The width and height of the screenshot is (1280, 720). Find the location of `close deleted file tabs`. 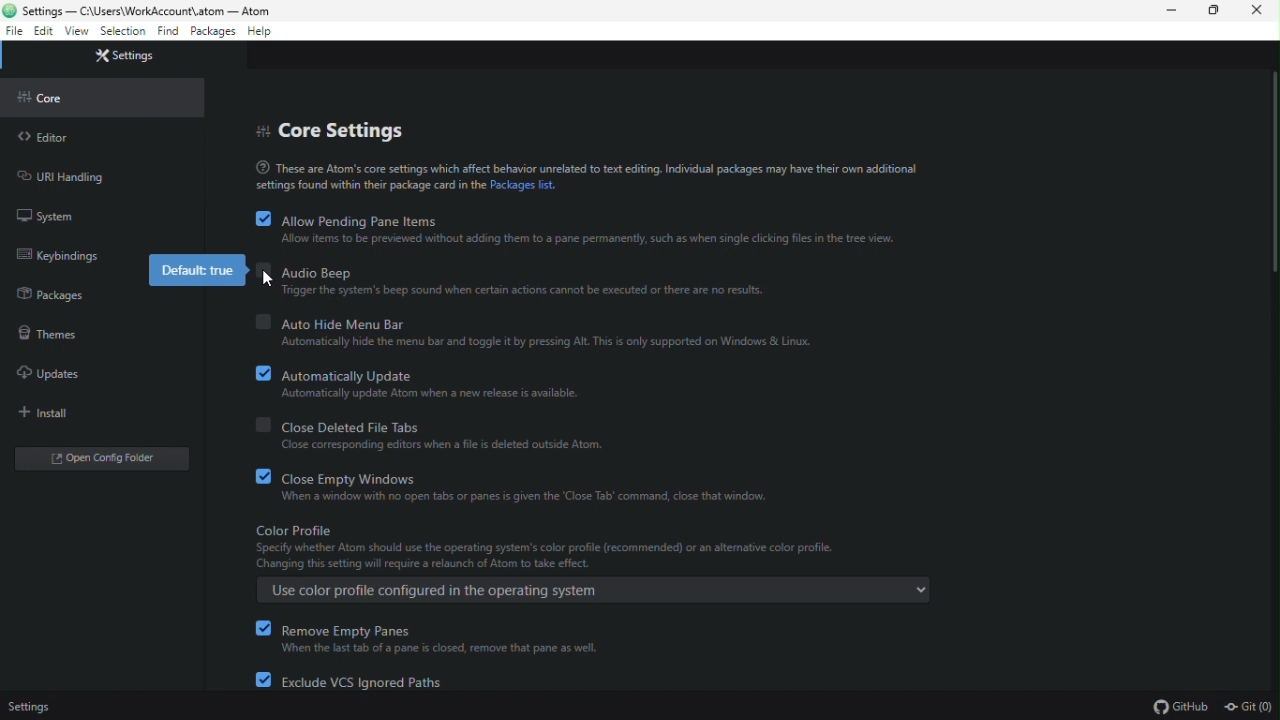

close deleted file tabs is located at coordinates (432, 426).